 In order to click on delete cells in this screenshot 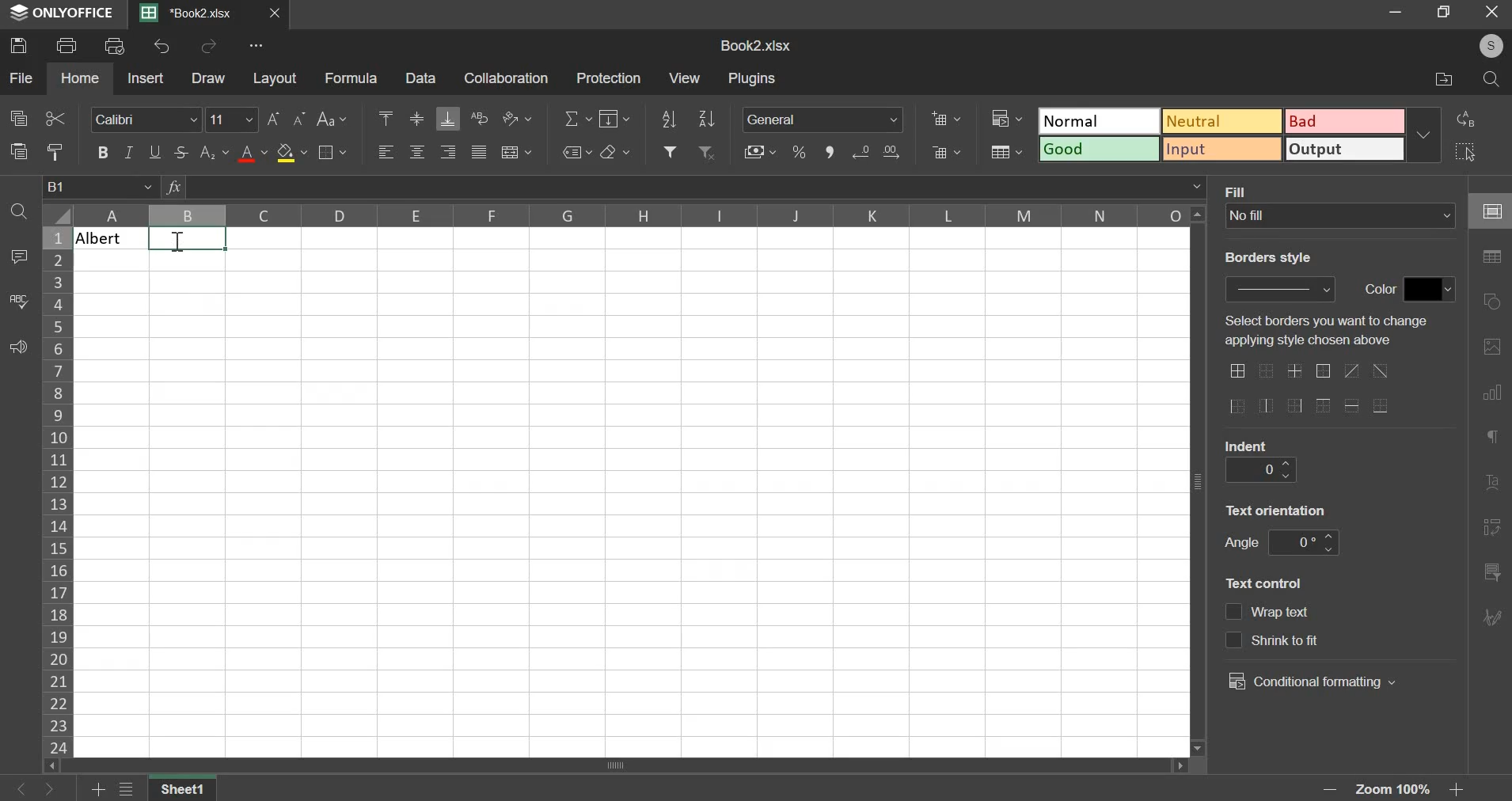, I will do `click(946, 152)`.